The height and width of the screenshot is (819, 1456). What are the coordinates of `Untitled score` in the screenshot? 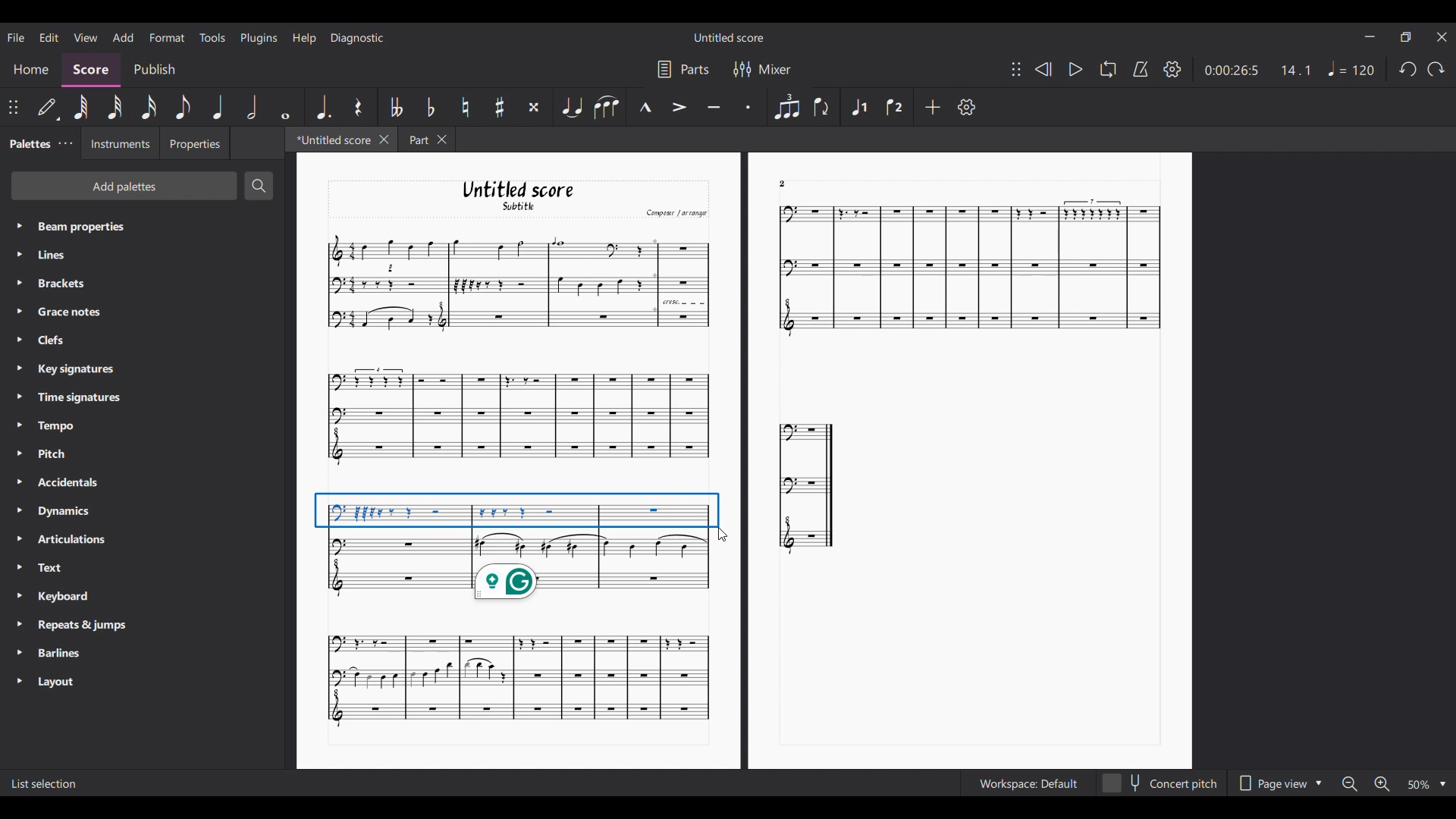 It's located at (729, 38).